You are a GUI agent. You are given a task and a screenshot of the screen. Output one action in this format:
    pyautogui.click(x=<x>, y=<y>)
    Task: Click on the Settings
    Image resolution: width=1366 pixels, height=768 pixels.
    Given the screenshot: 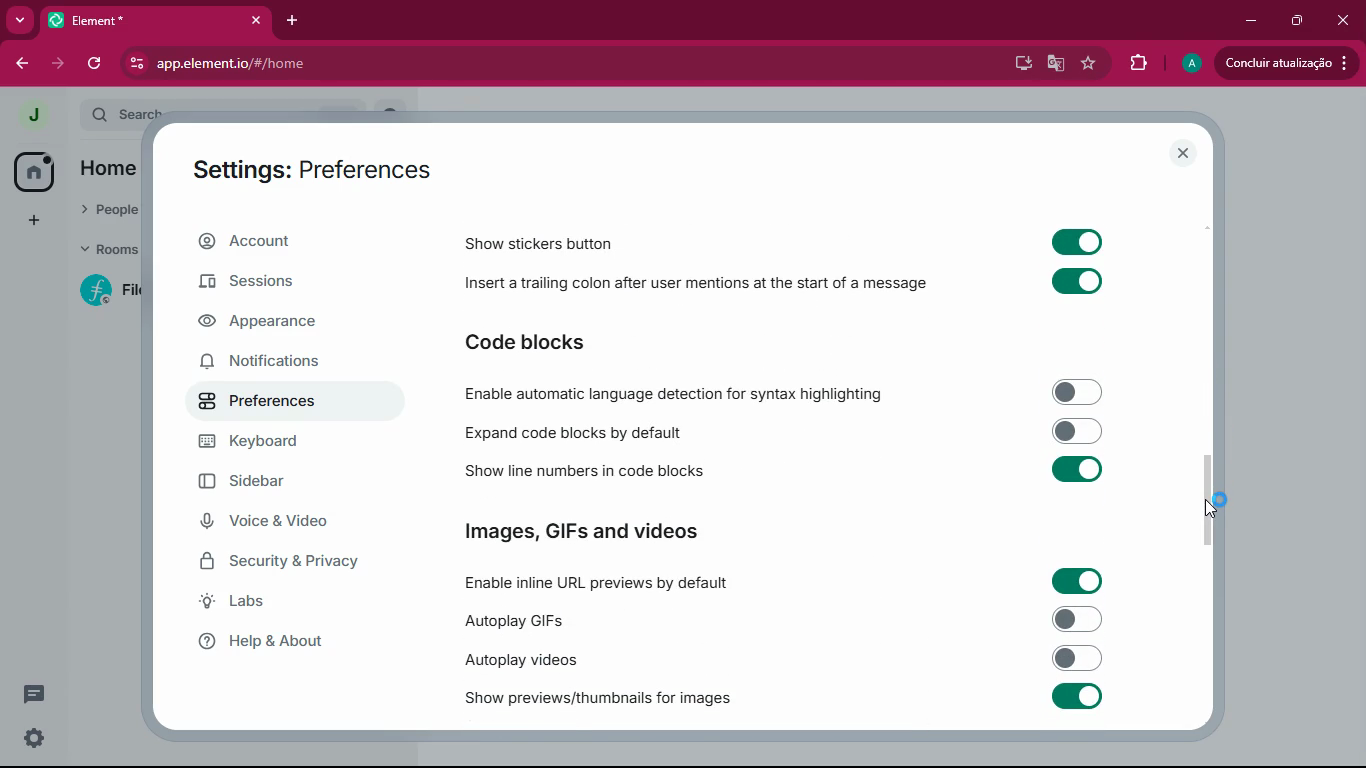 What is the action you would take?
    pyautogui.click(x=37, y=741)
    